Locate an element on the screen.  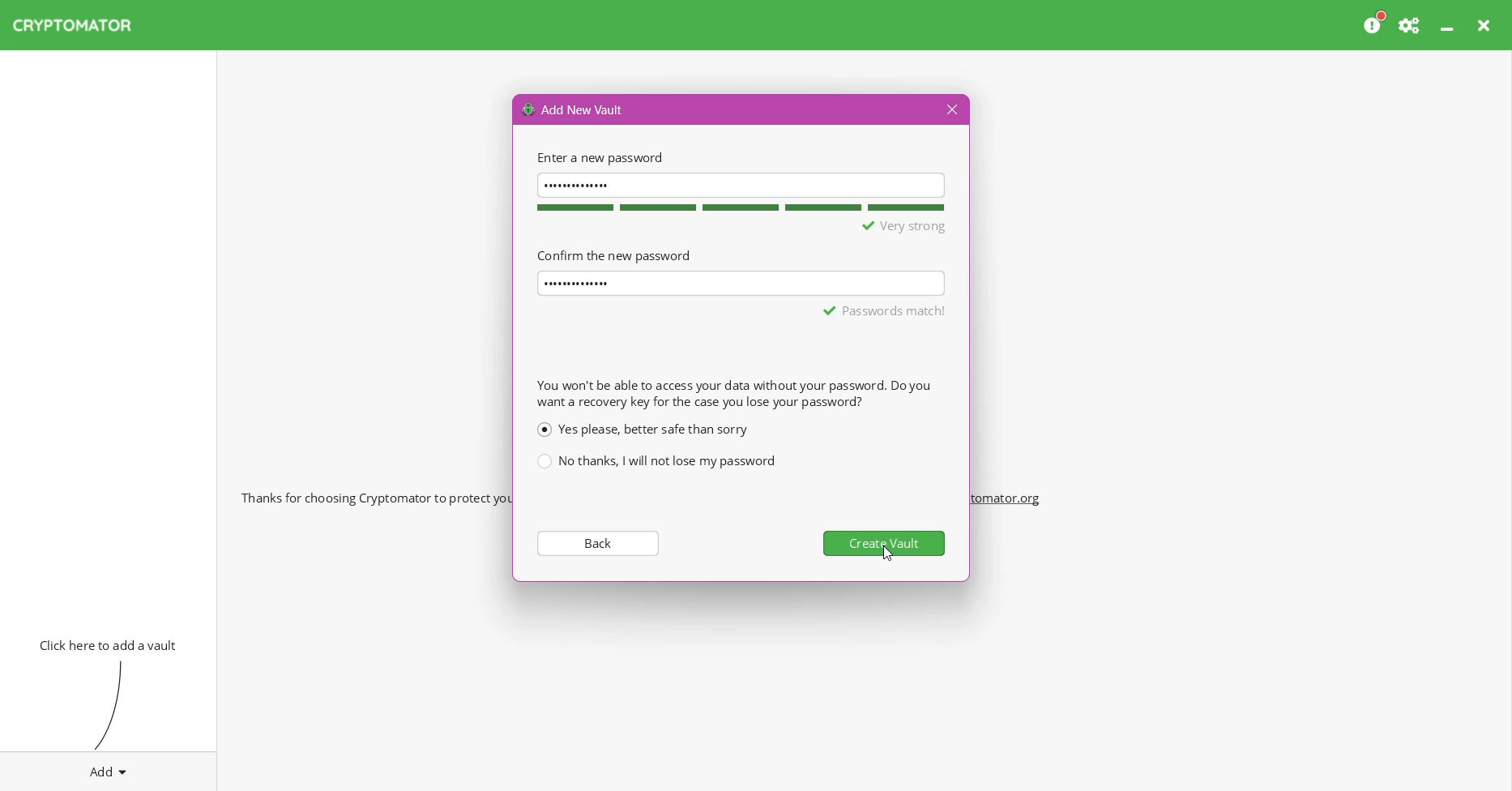
Click here to add vault is located at coordinates (105, 643).